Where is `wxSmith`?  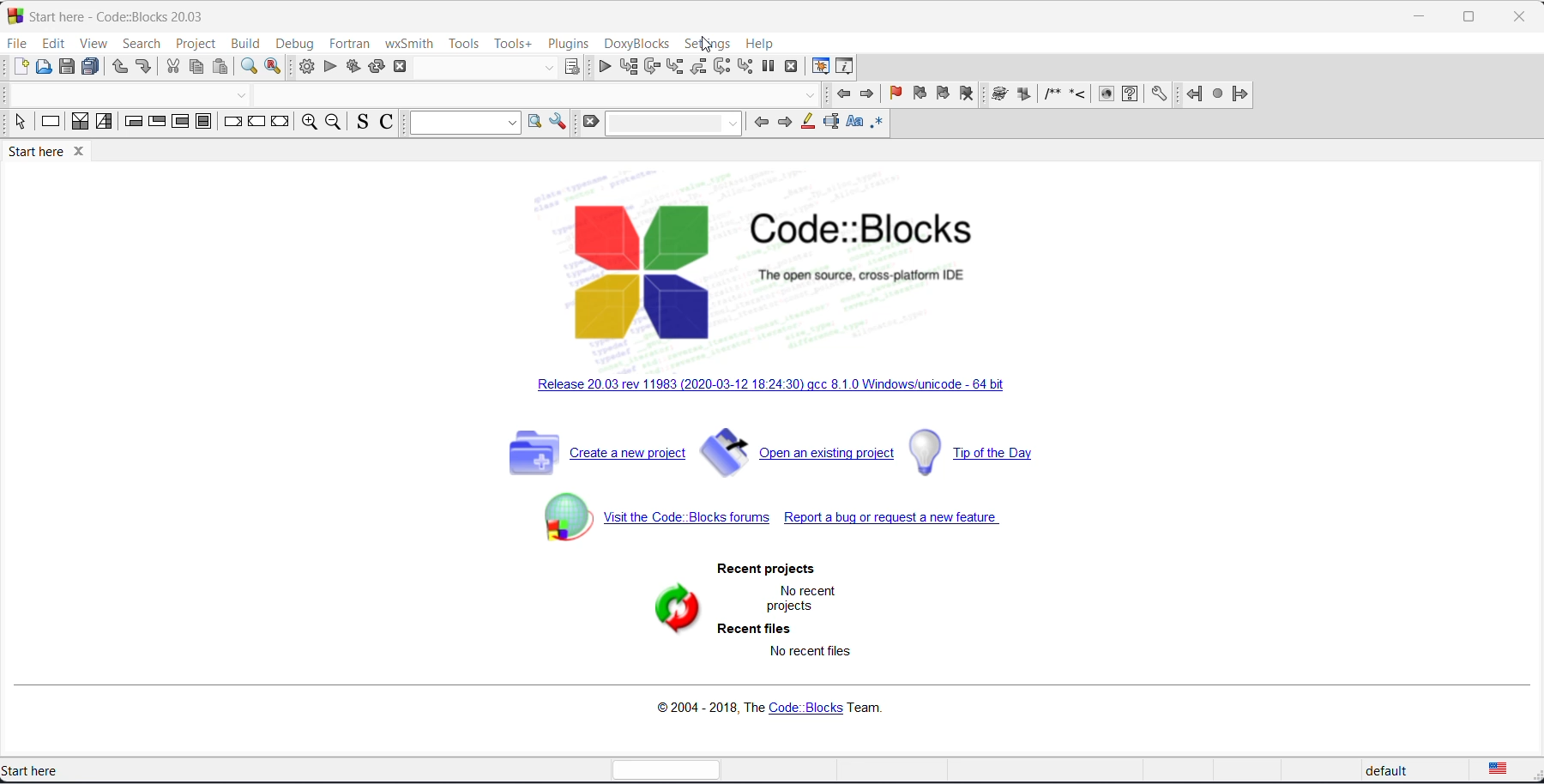 wxSmith is located at coordinates (408, 44).